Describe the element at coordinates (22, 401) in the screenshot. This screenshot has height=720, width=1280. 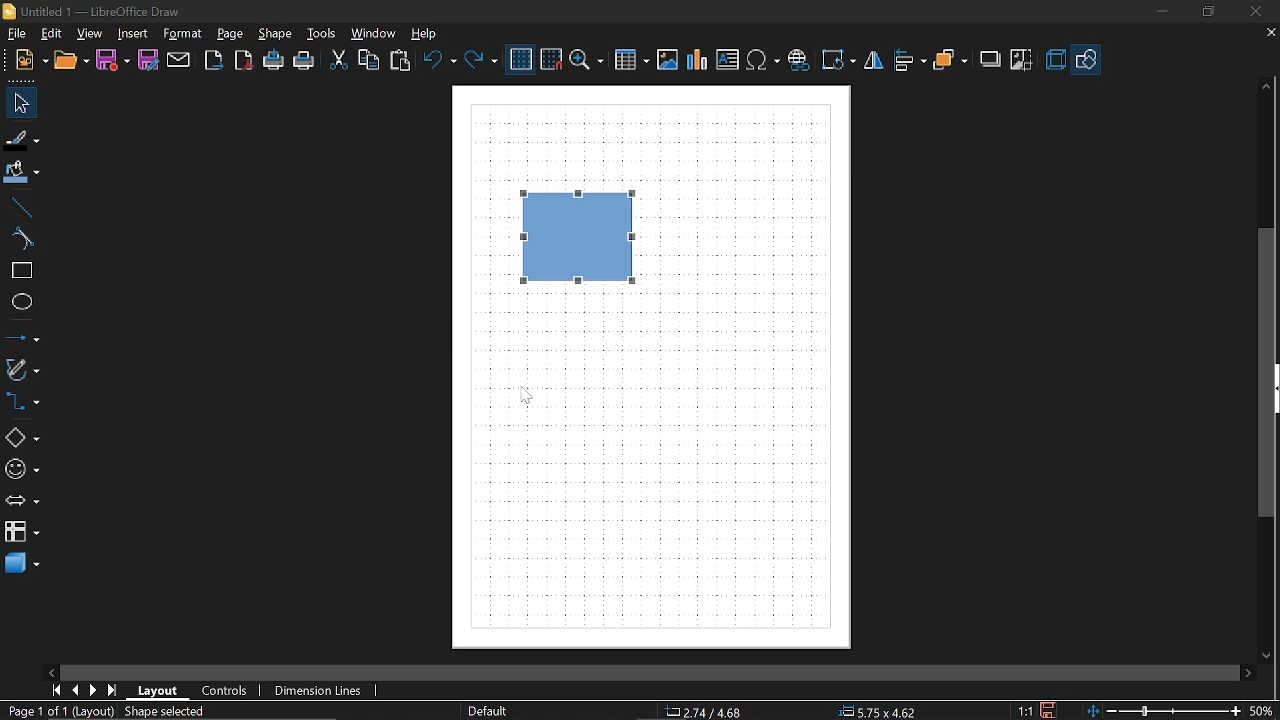
I see `Connector` at that location.